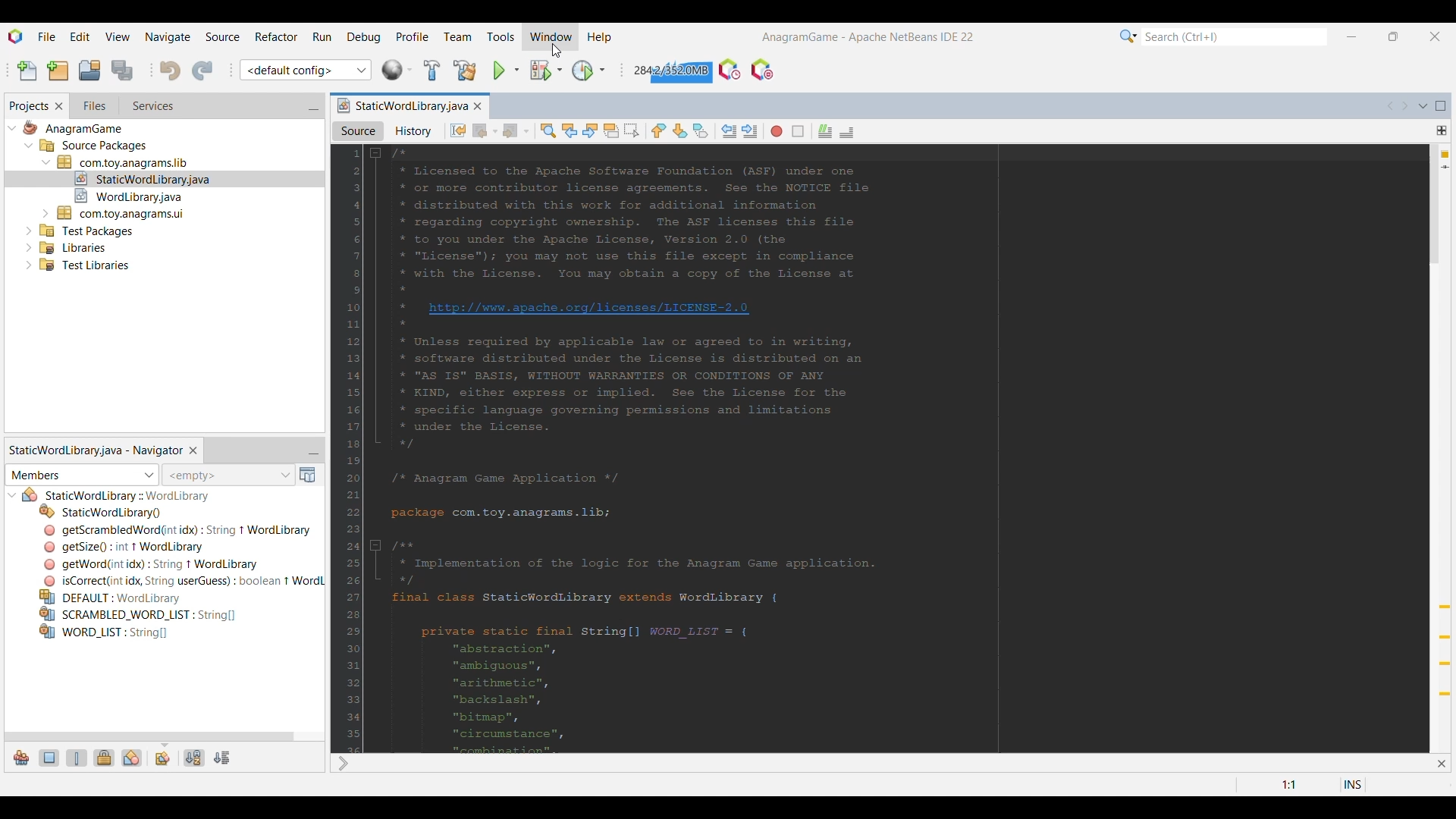  What do you see at coordinates (89, 70) in the screenshot?
I see `Open project` at bounding box center [89, 70].